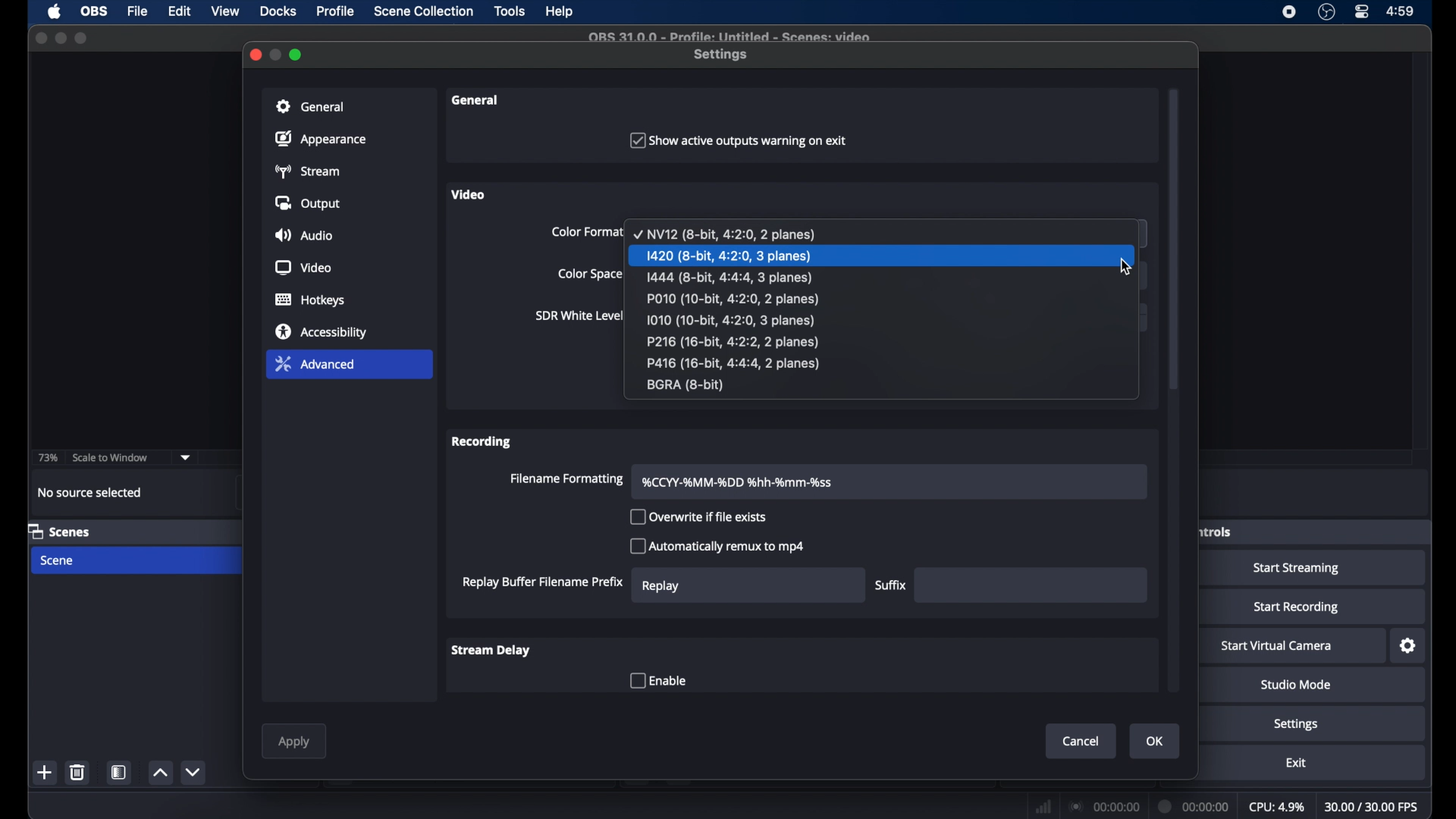 This screenshot has width=1456, height=819. What do you see at coordinates (1065, 741) in the screenshot?
I see `Cancel` at bounding box center [1065, 741].